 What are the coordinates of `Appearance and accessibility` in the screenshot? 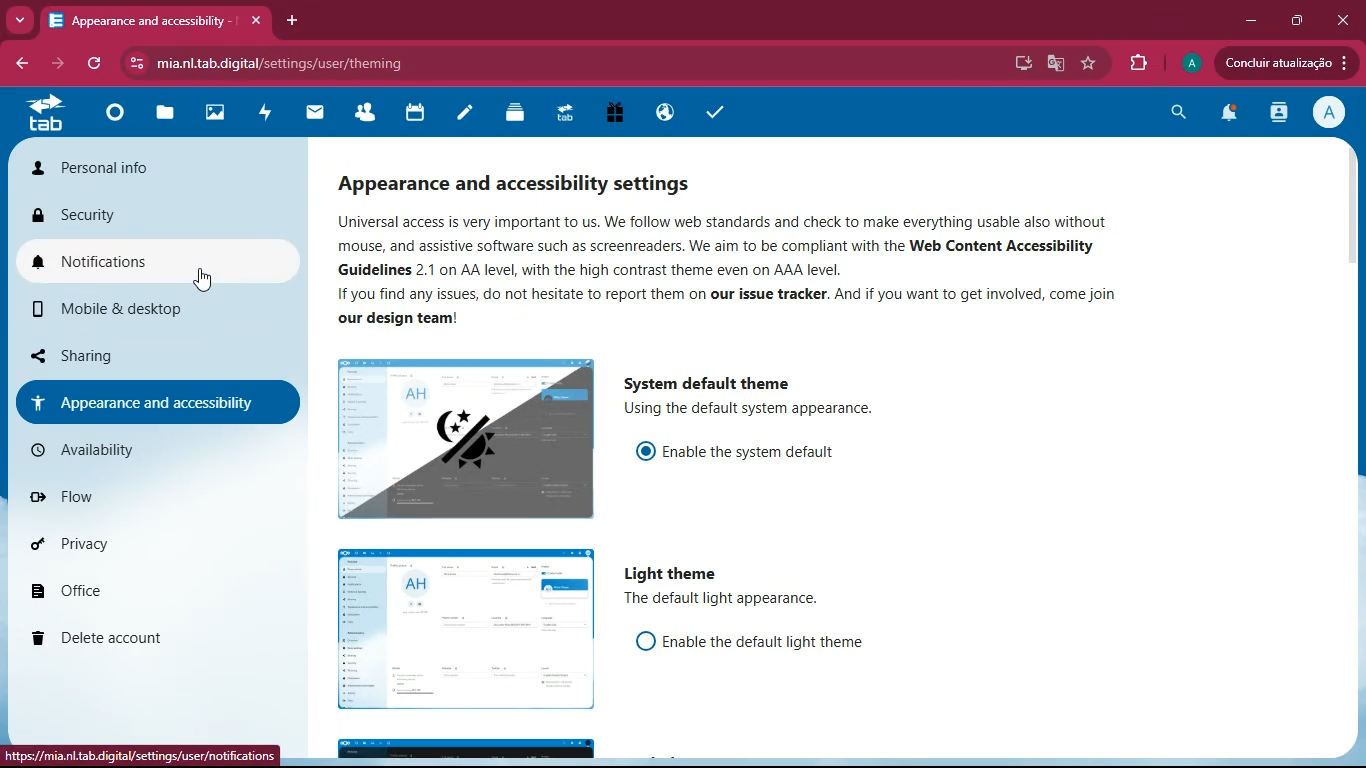 It's located at (156, 21).